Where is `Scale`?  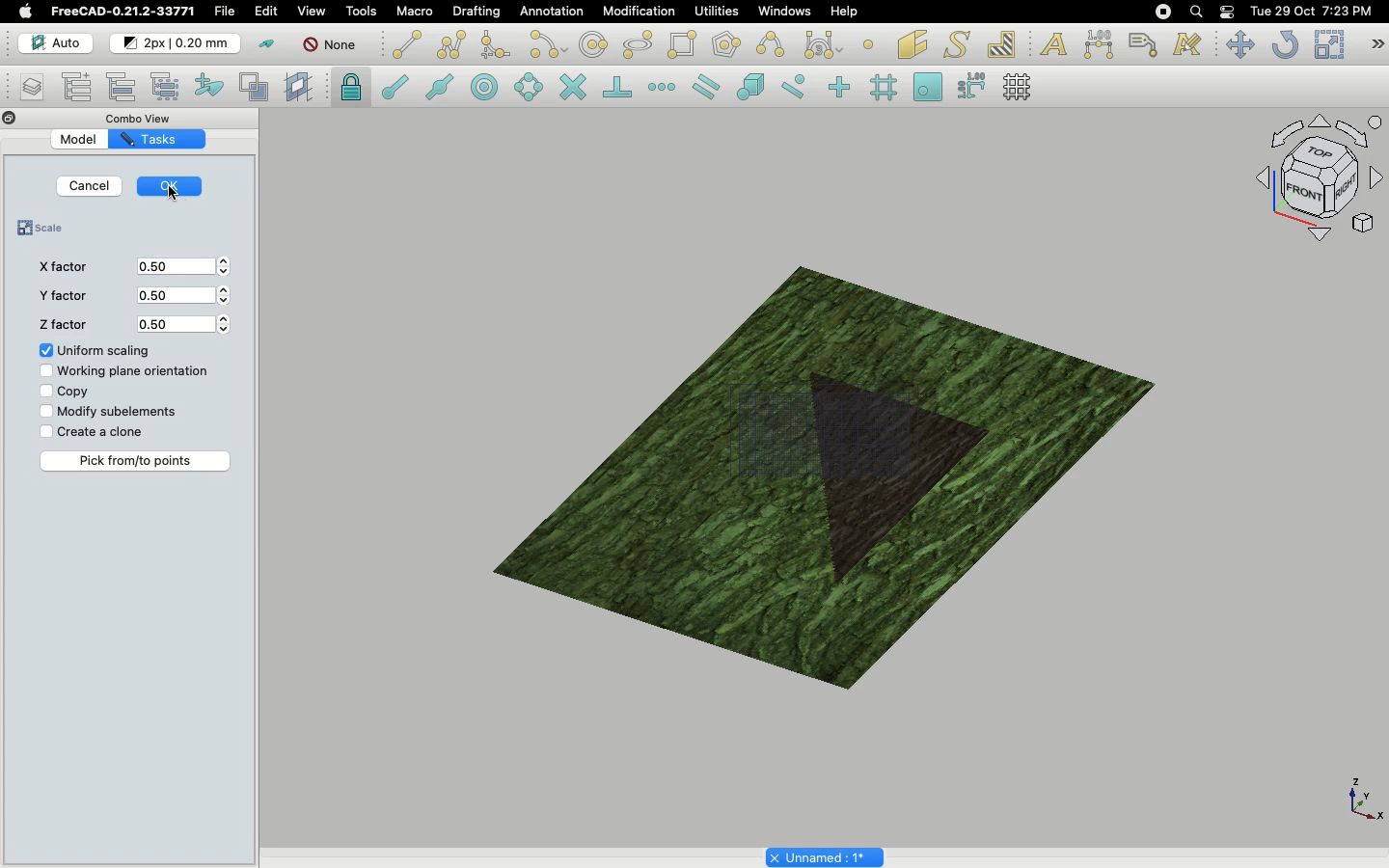 Scale is located at coordinates (46, 230).